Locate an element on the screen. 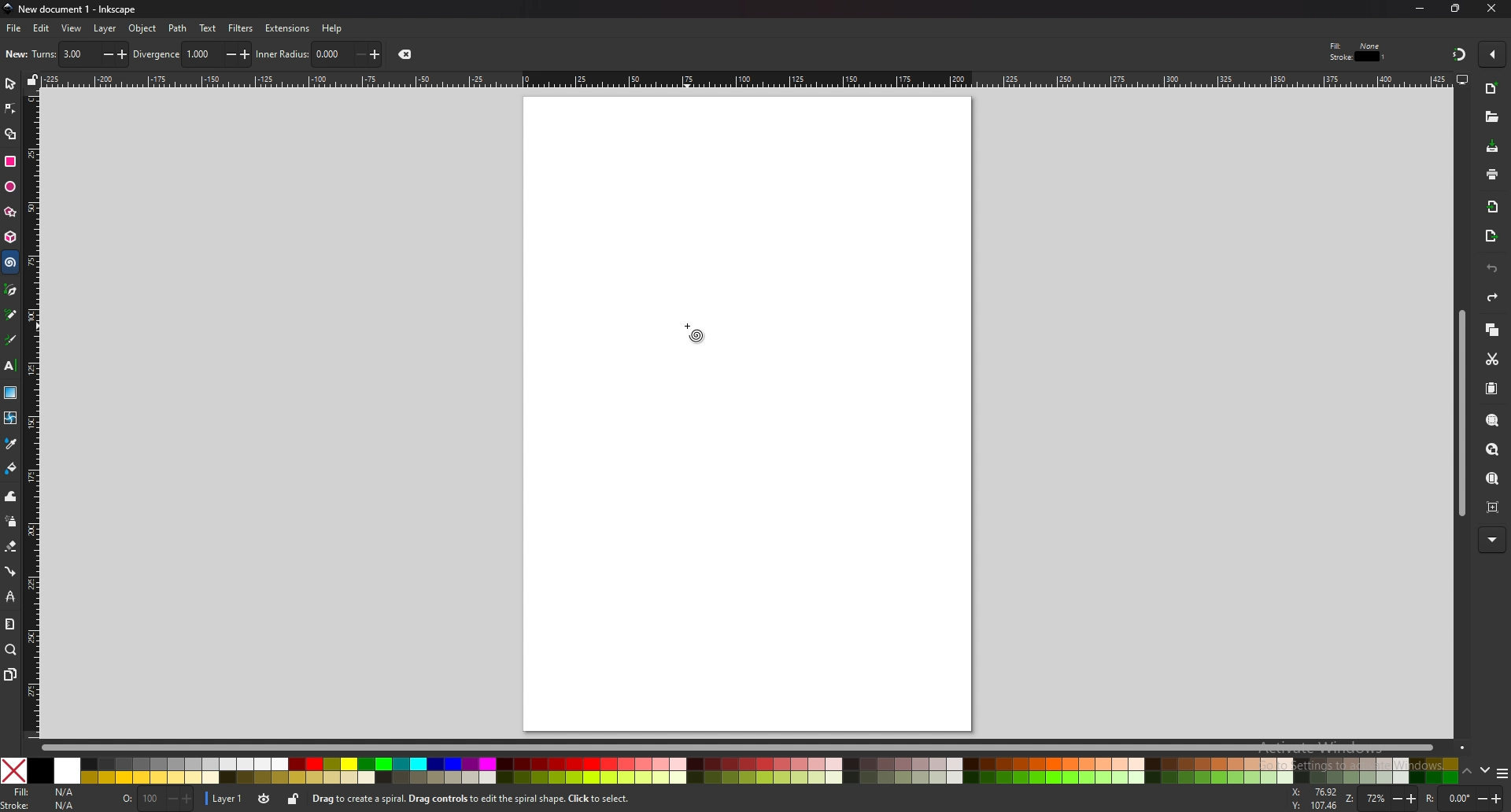 The image size is (1511, 812). connector is located at coordinates (10, 572).